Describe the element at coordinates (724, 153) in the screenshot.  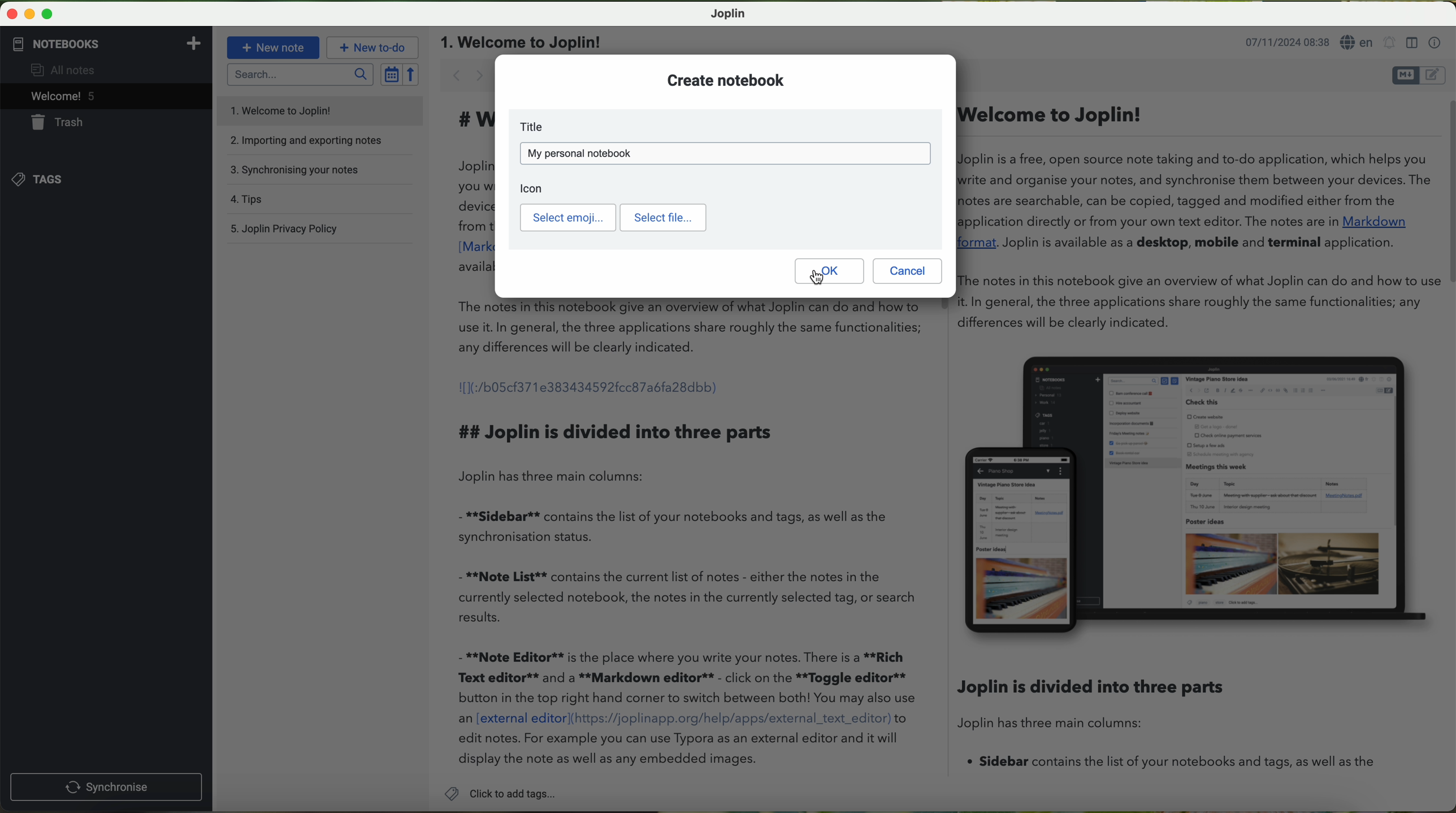
I see `my personal notebook - title` at that location.